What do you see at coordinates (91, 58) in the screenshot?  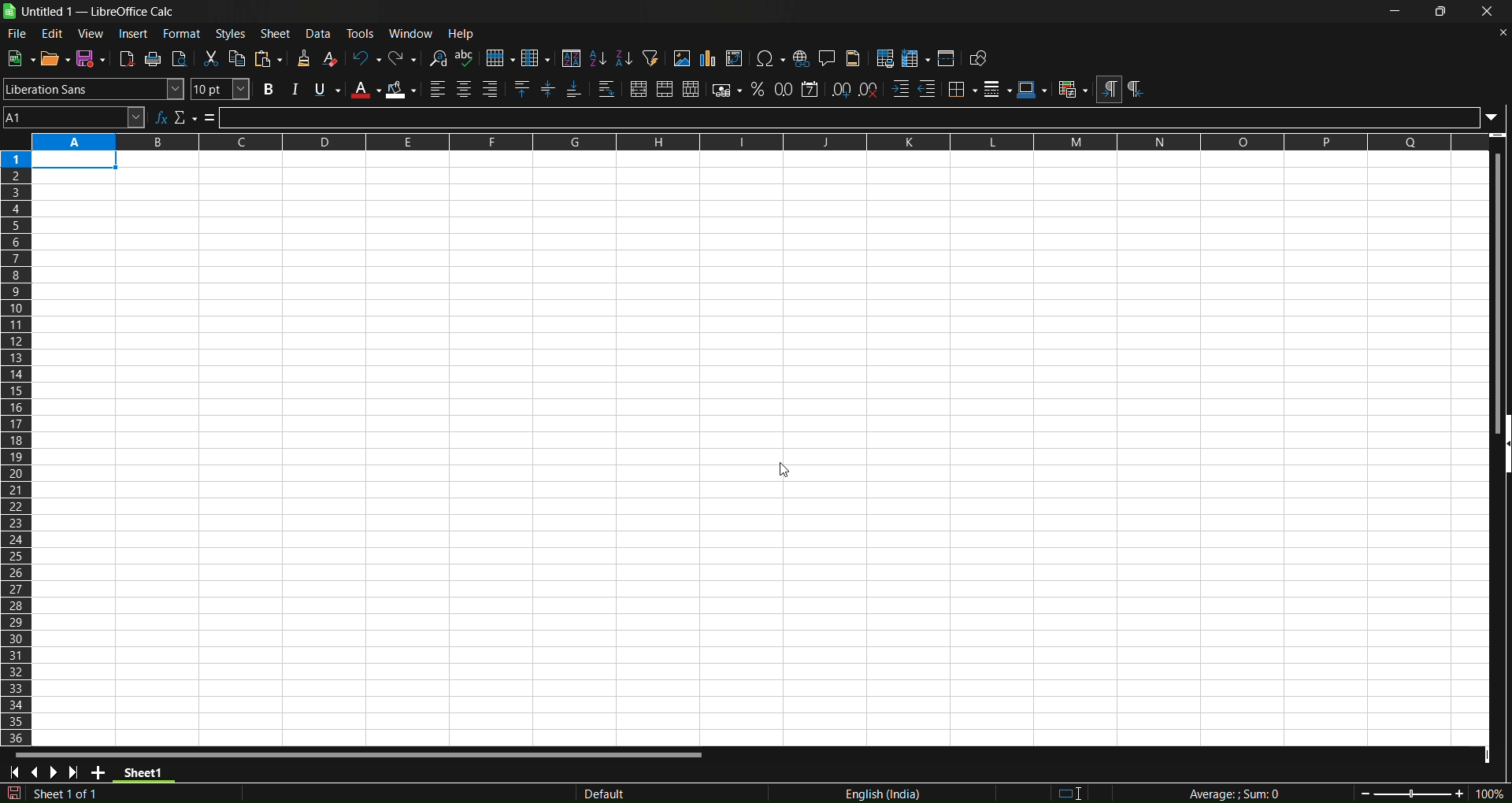 I see `save` at bounding box center [91, 58].